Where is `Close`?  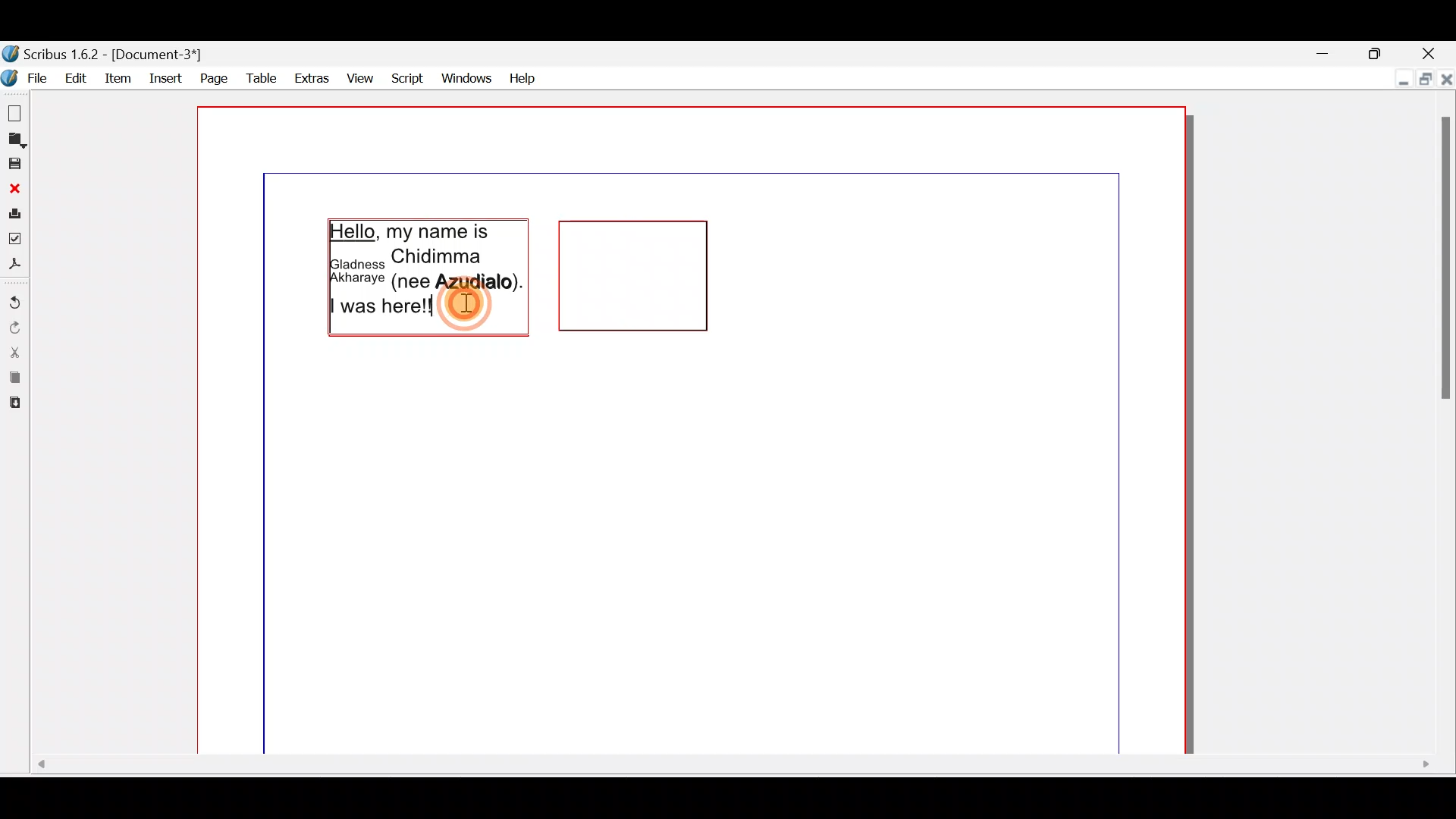
Close is located at coordinates (1429, 52).